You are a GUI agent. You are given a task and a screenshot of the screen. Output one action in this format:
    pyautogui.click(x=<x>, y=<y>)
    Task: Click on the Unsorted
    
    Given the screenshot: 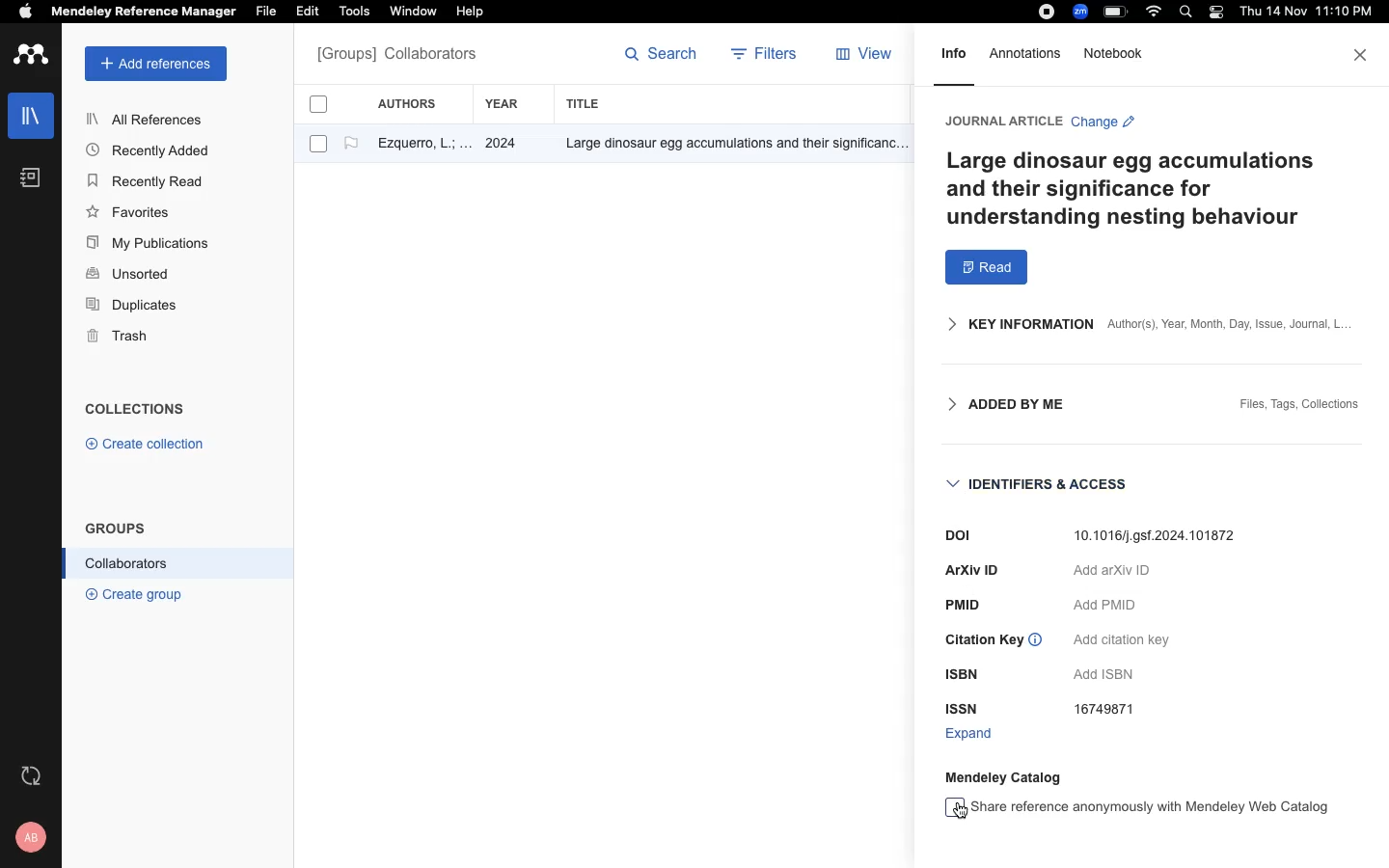 What is the action you would take?
    pyautogui.click(x=130, y=275)
    